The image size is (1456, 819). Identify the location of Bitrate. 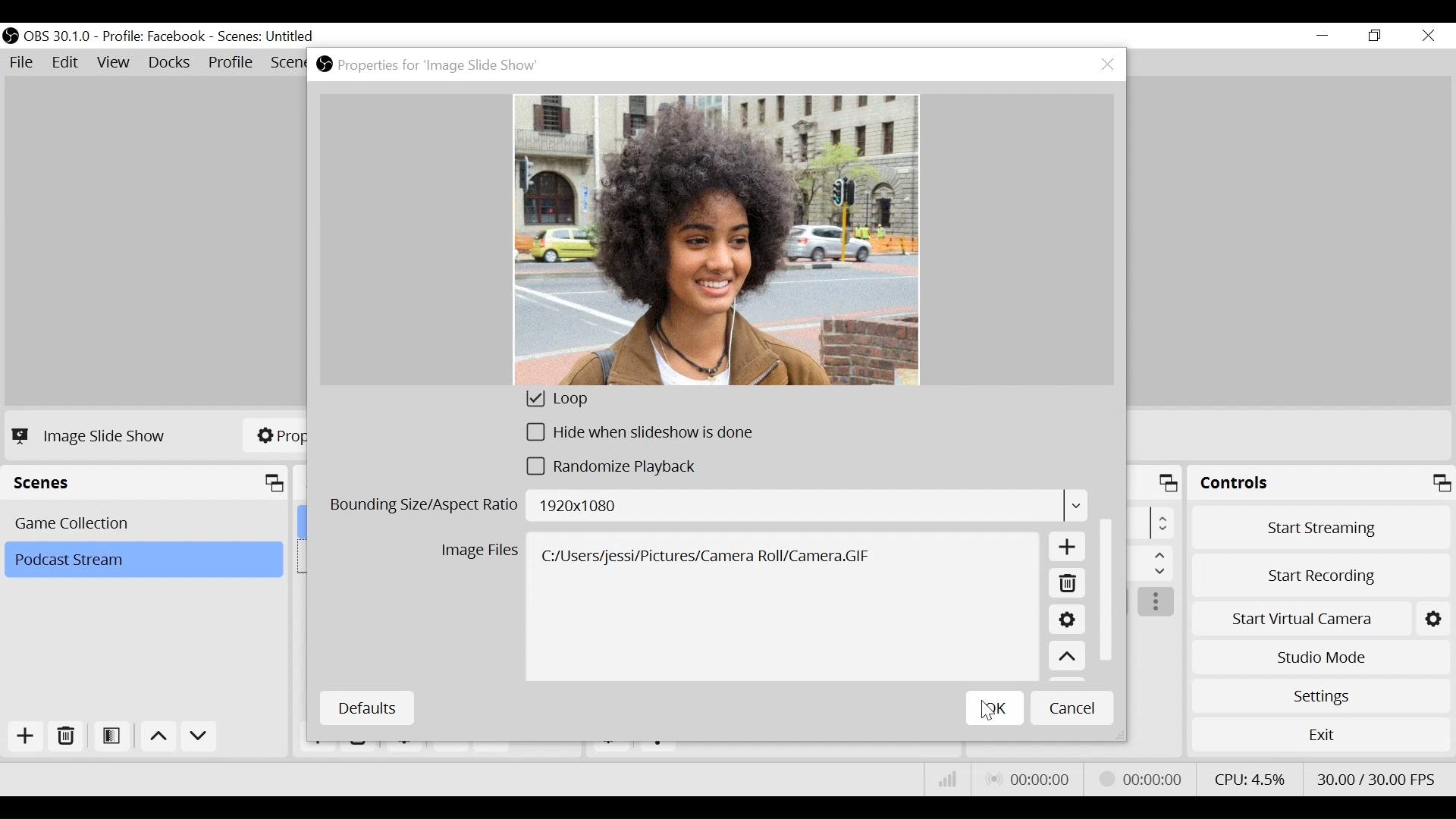
(948, 780).